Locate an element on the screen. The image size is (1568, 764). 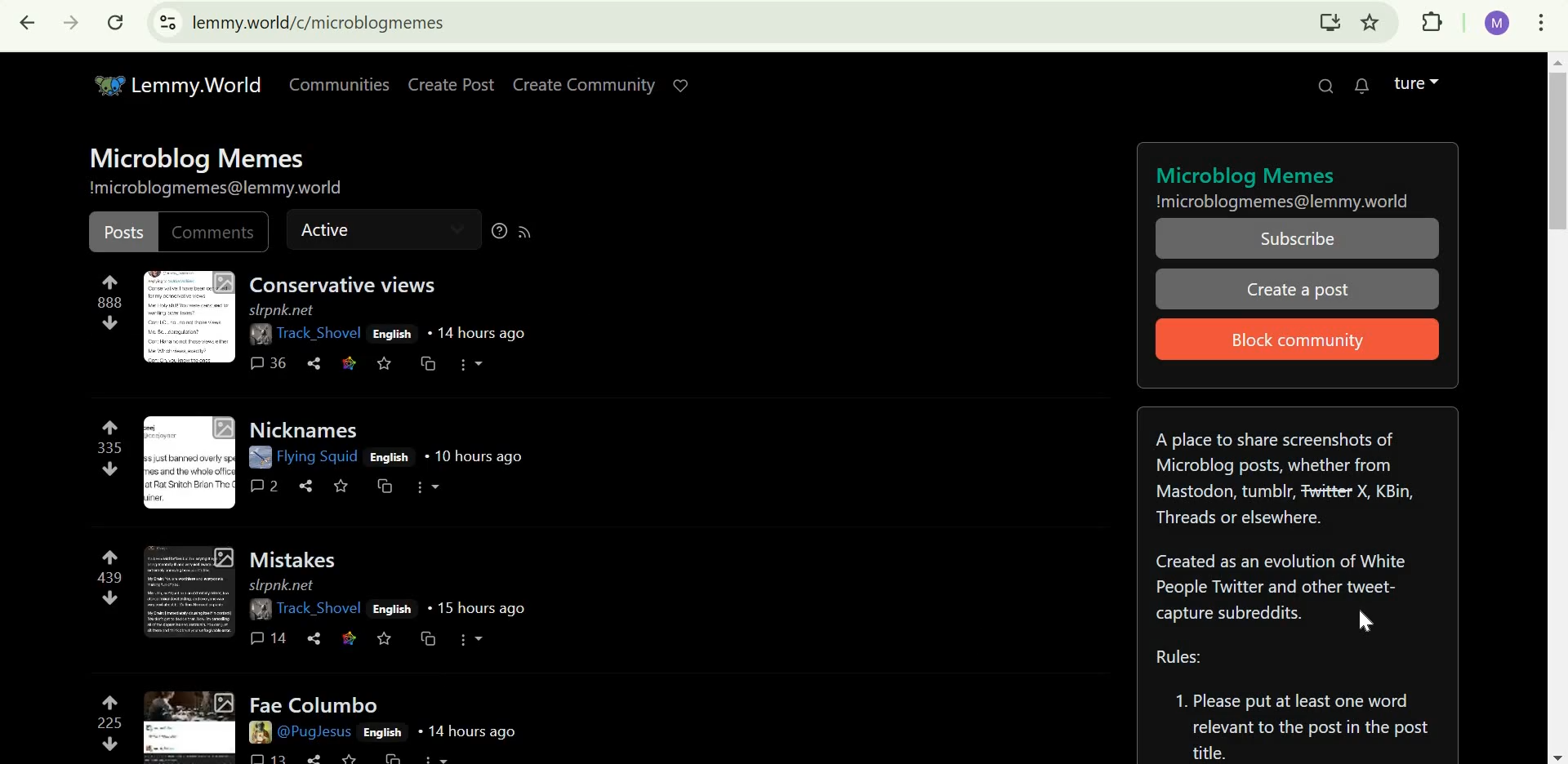
mistakes is located at coordinates (299, 557).